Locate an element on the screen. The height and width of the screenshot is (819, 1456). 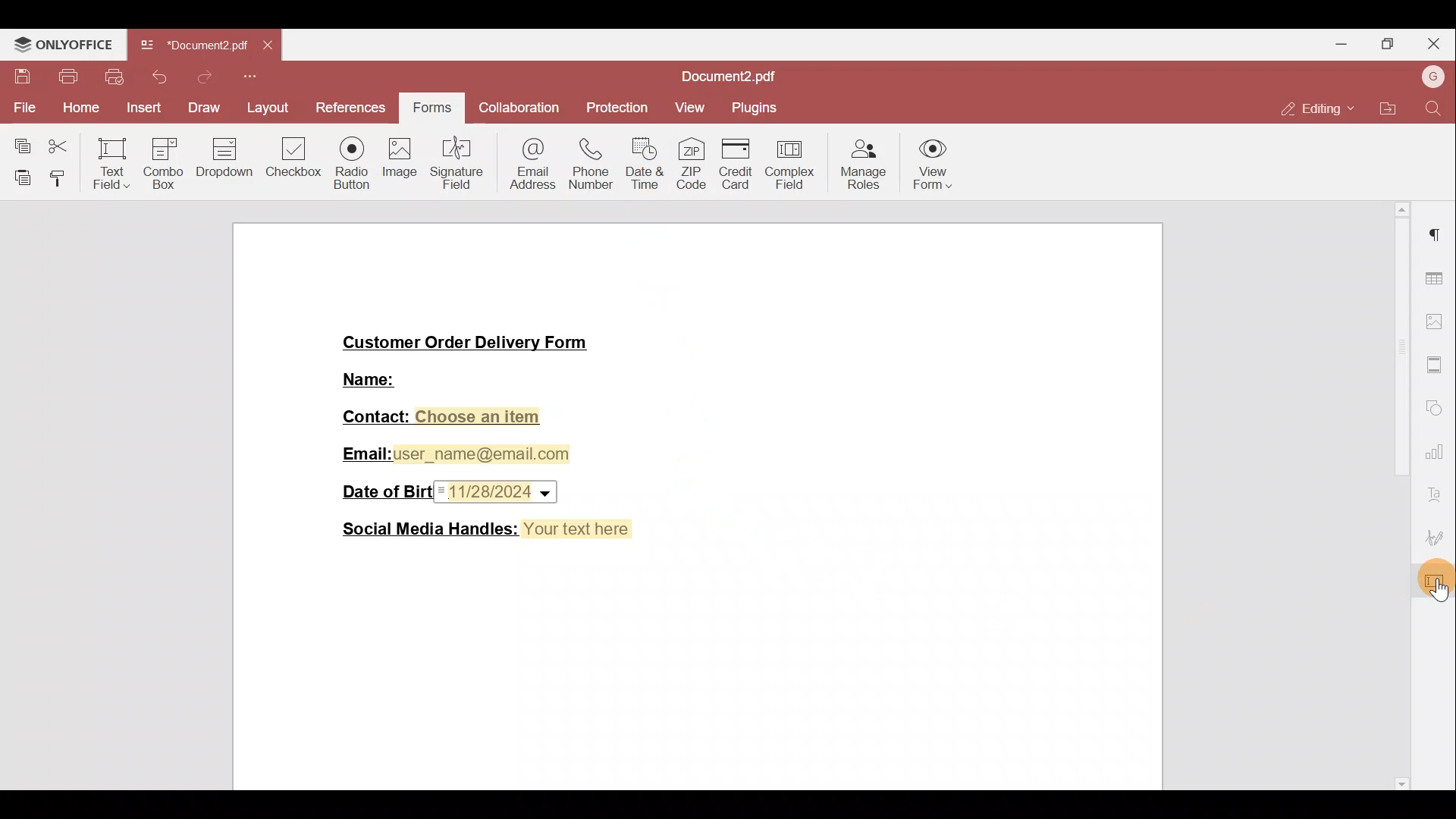
Plugins is located at coordinates (761, 107).